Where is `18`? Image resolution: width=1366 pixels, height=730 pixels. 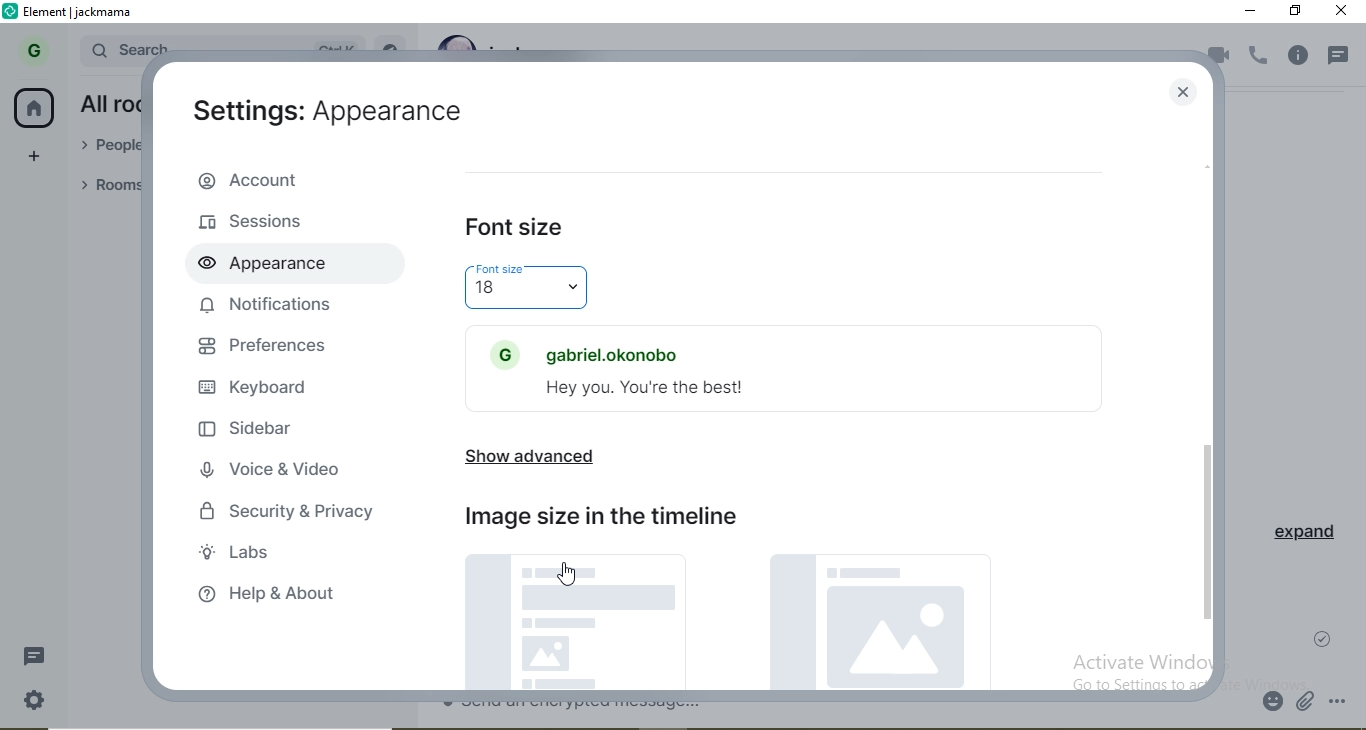 18 is located at coordinates (527, 293).